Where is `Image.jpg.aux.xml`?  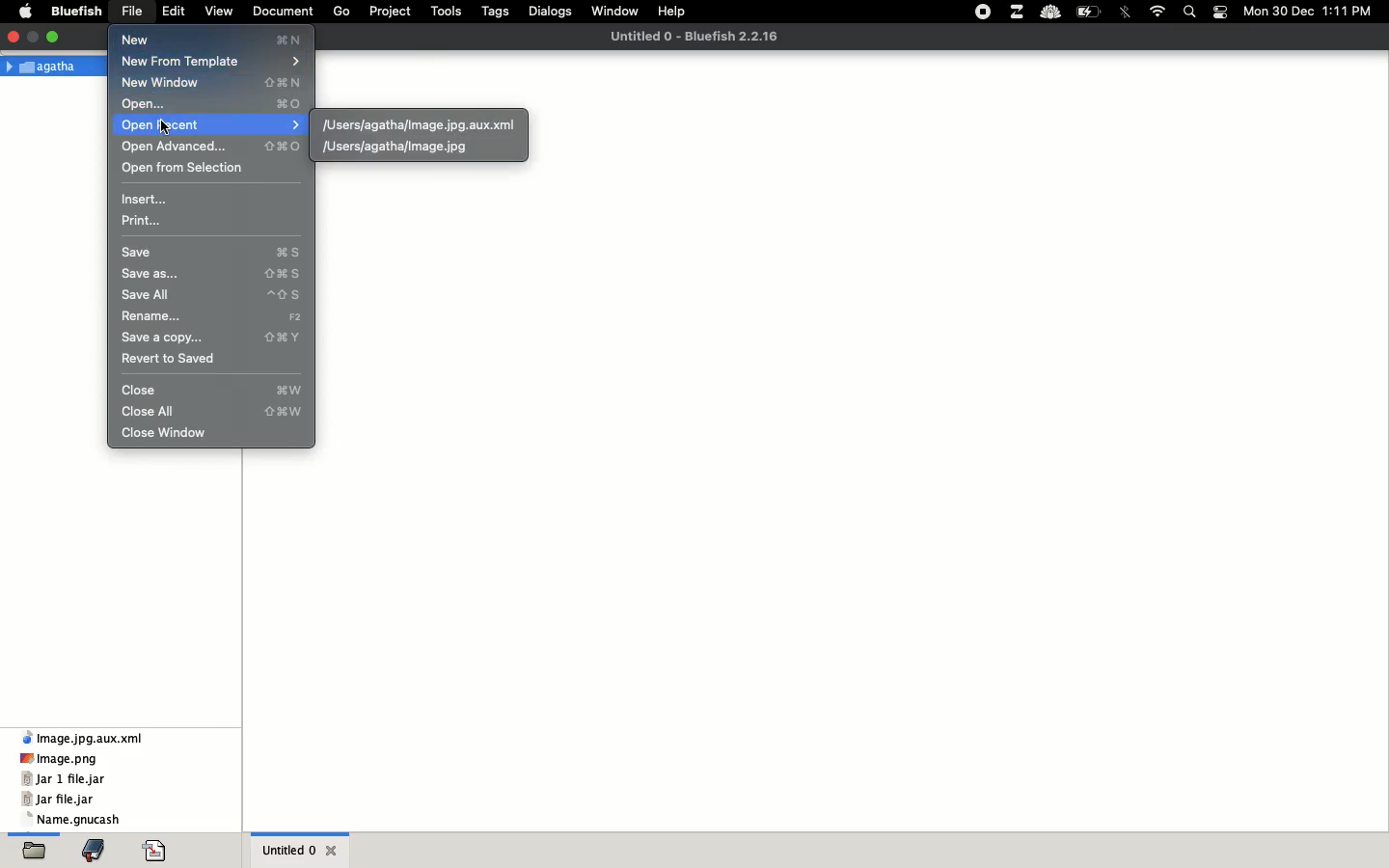
Image.jpg.aux.xml is located at coordinates (87, 738).